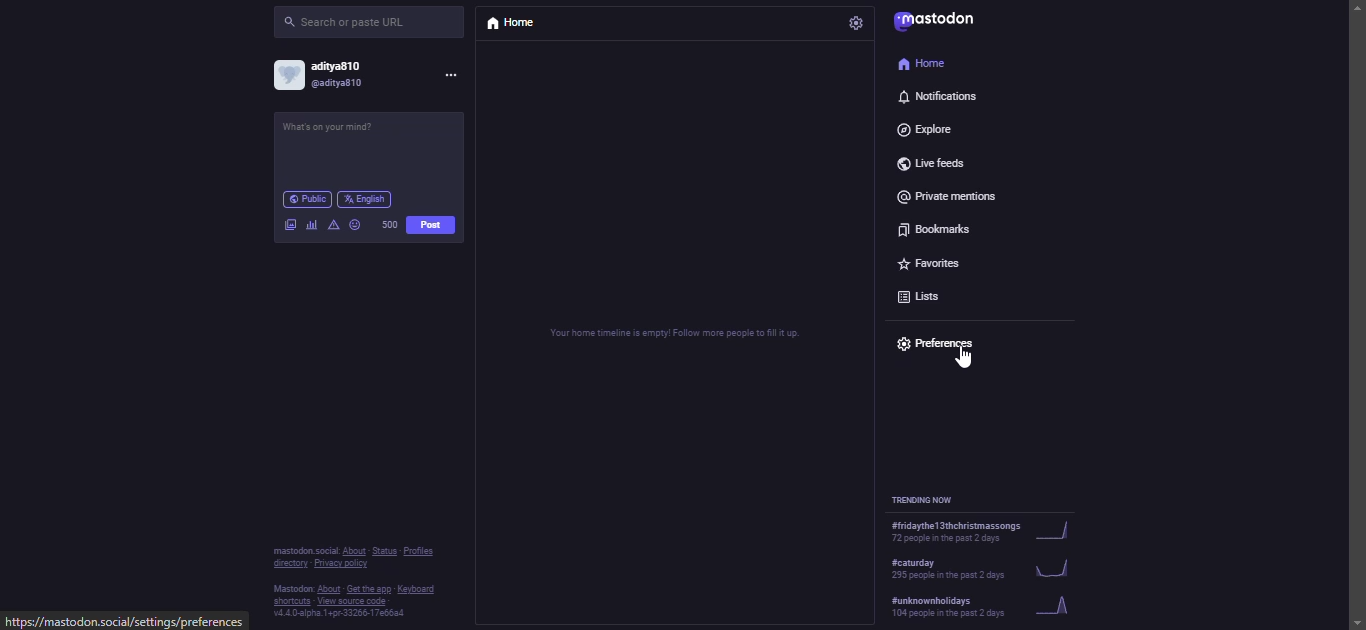  What do you see at coordinates (290, 223) in the screenshot?
I see `image` at bounding box center [290, 223].